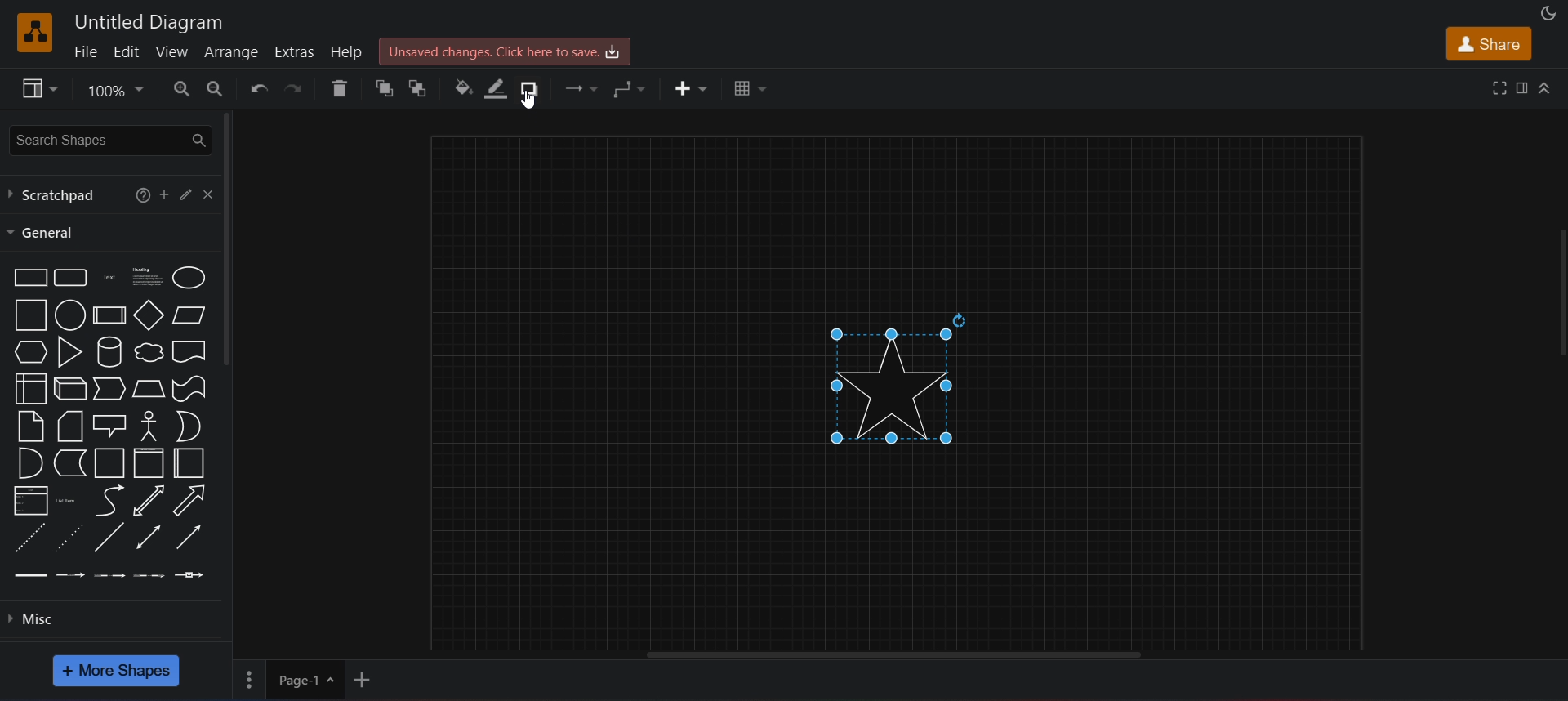 The image size is (1568, 701). What do you see at coordinates (189, 317) in the screenshot?
I see `parallelogram` at bounding box center [189, 317].